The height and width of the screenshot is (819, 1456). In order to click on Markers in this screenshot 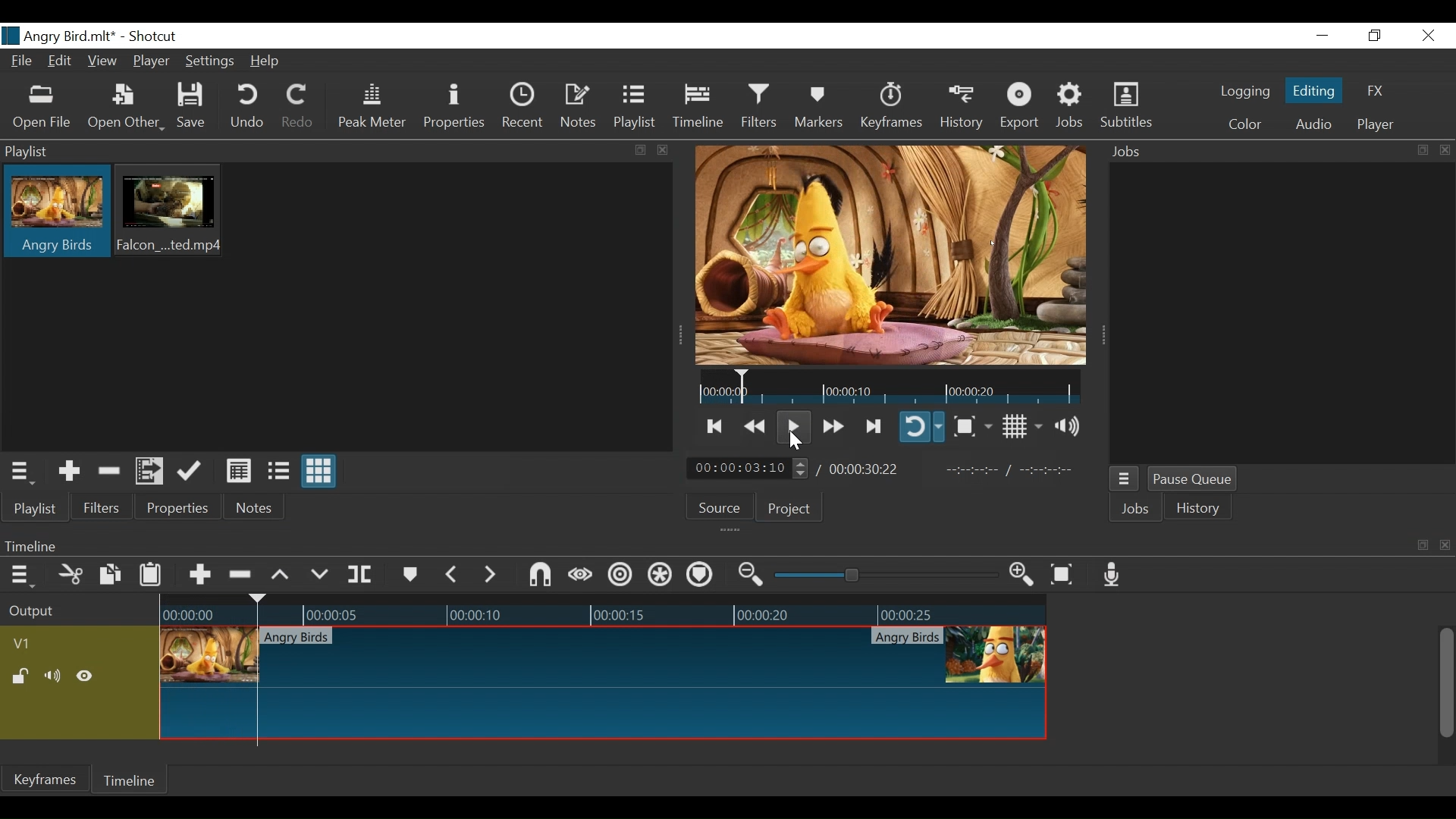, I will do `click(411, 573)`.